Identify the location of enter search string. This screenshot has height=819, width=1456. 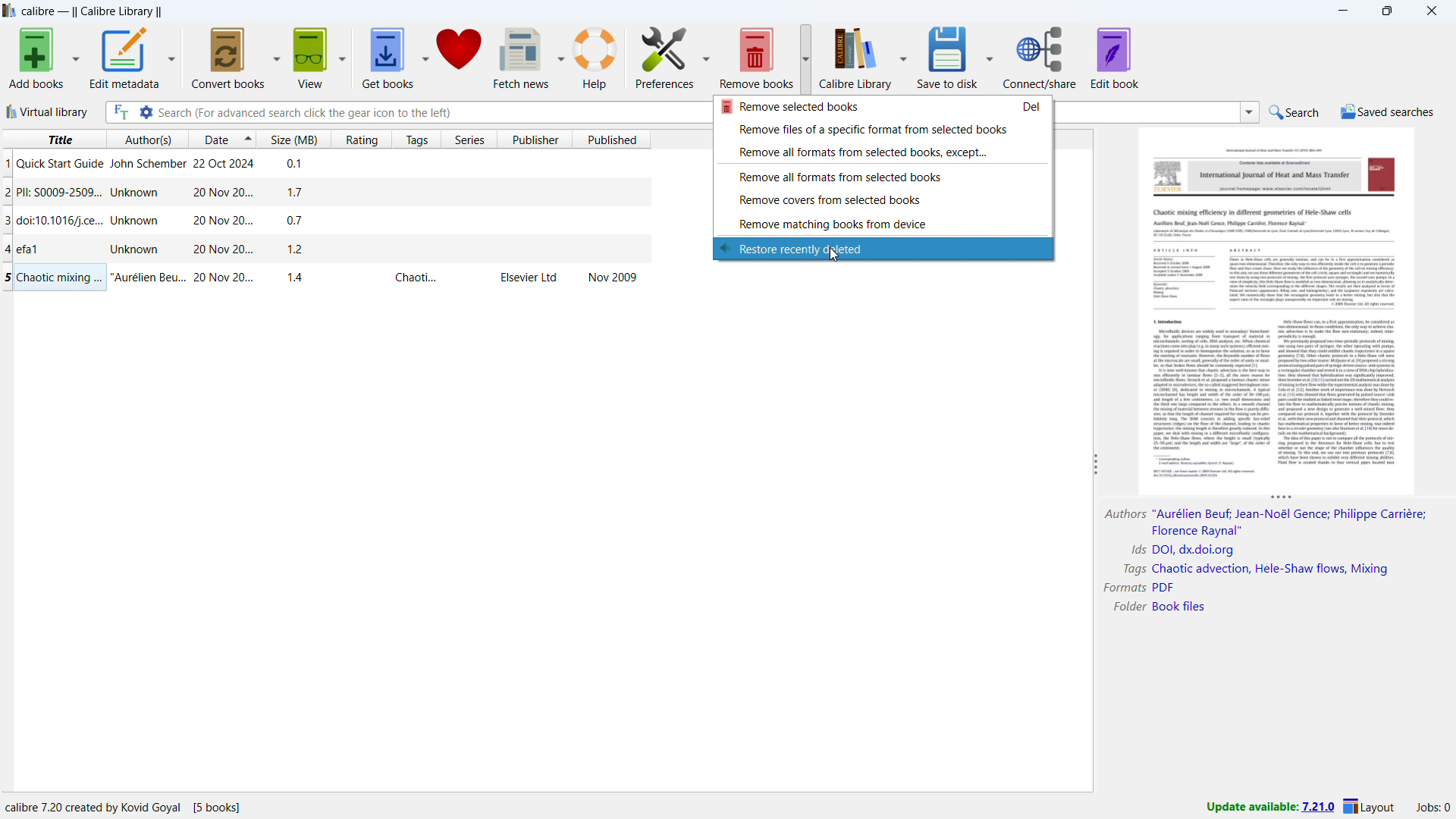
(431, 112).